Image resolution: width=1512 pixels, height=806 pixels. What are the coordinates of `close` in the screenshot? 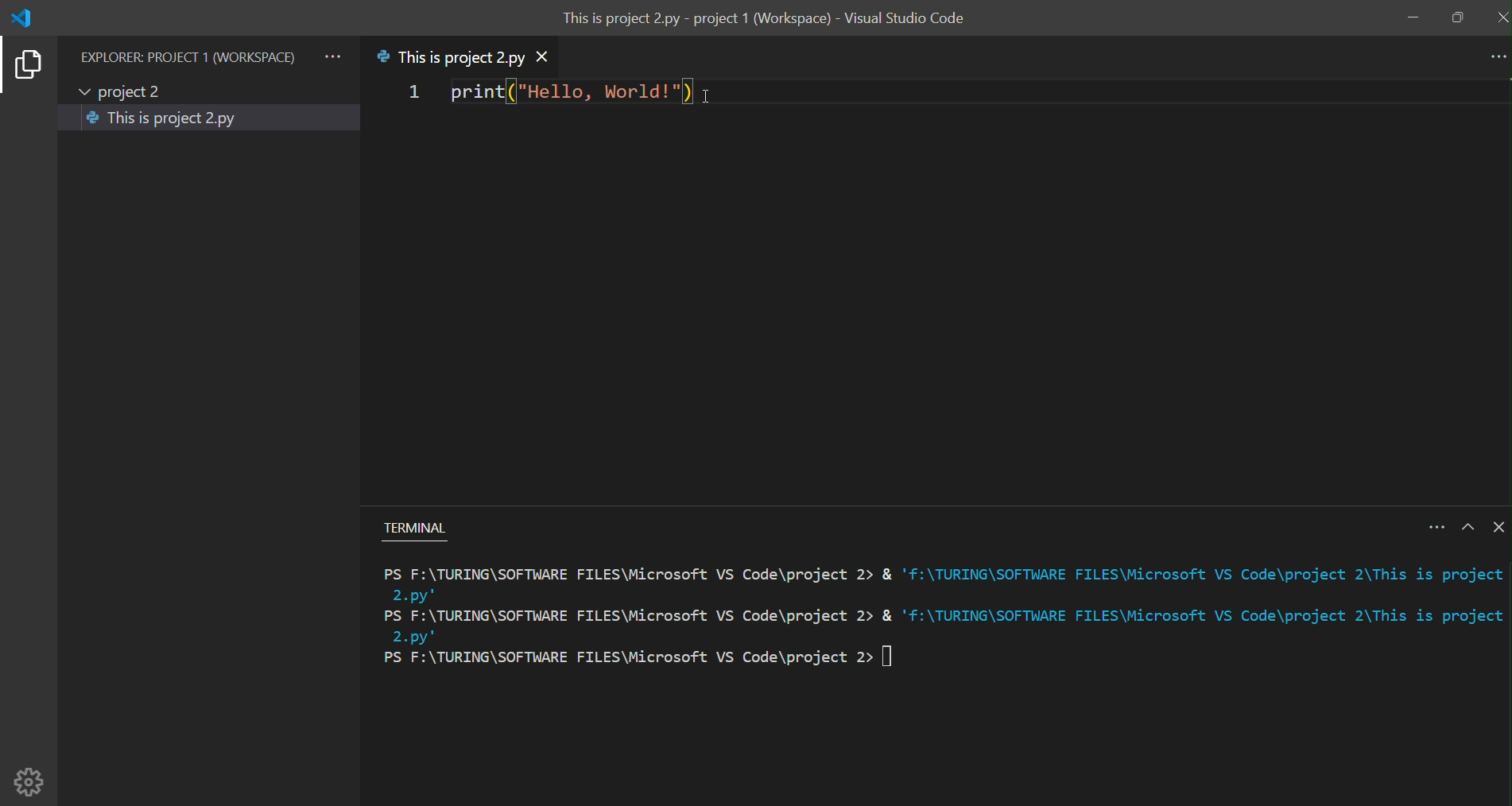 It's located at (1500, 16).